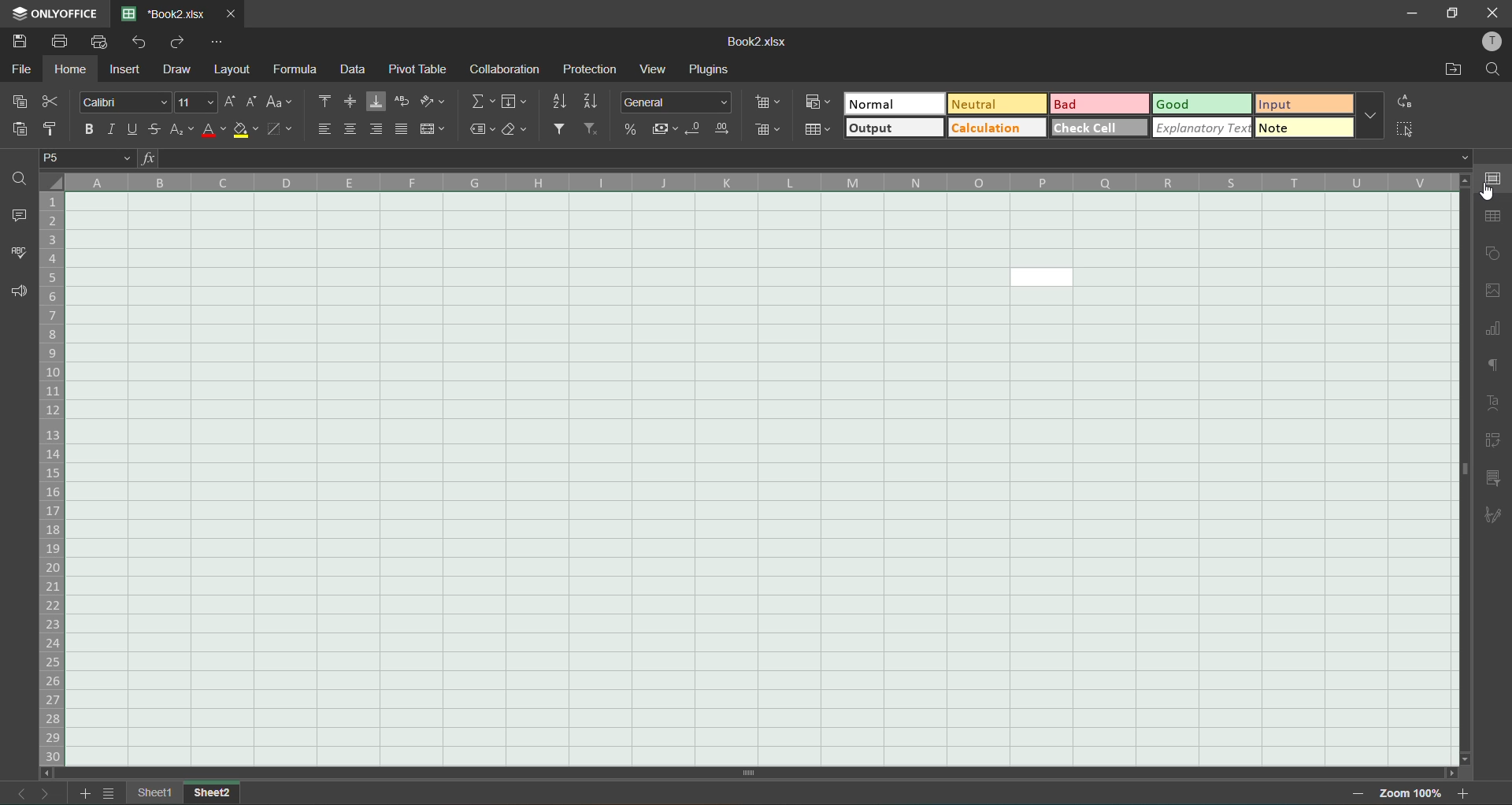 The width and height of the screenshot is (1512, 805). I want to click on P5, so click(87, 158).